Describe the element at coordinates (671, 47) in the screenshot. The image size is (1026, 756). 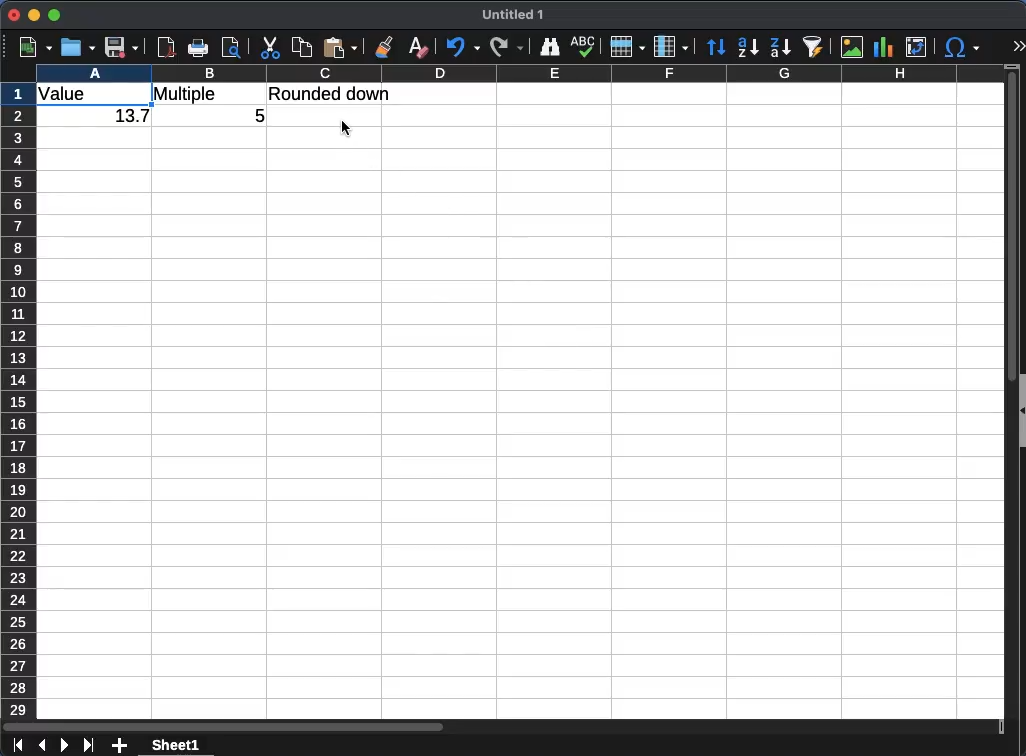
I see `columns` at that location.